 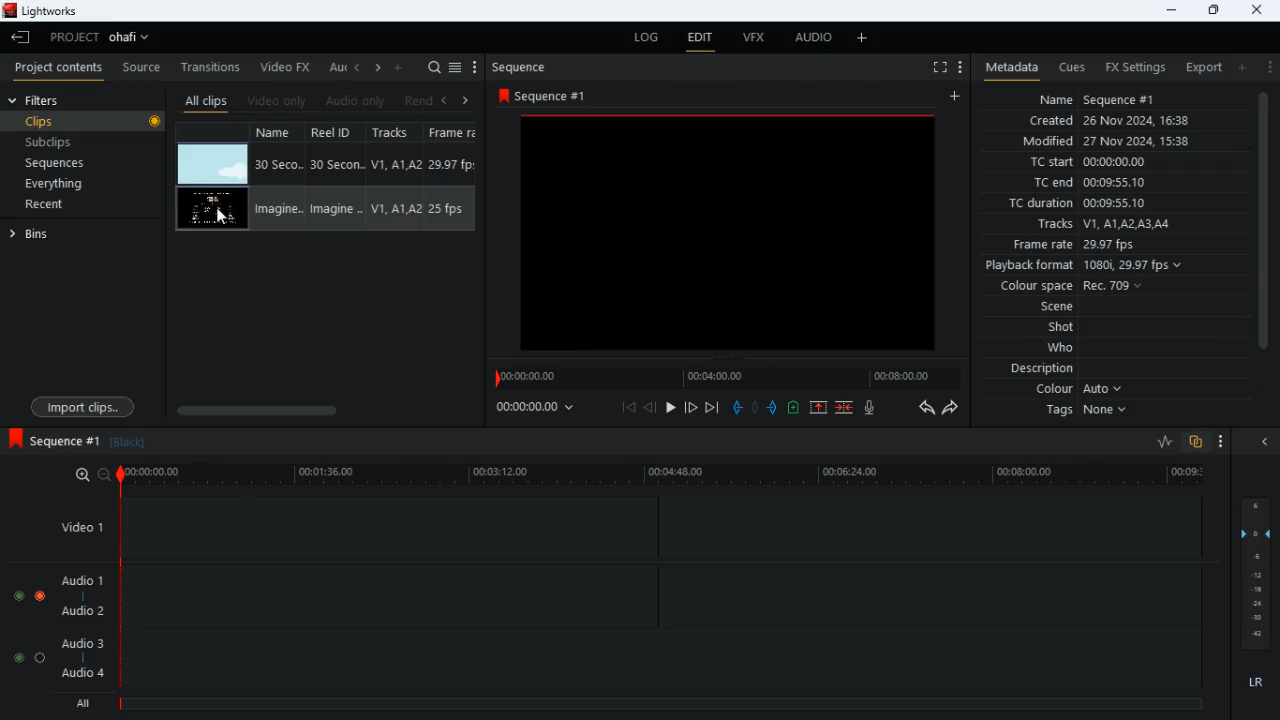 What do you see at coordinates (457, 66) in the screenshot?
I see `select` at bounding box center [457, 66].